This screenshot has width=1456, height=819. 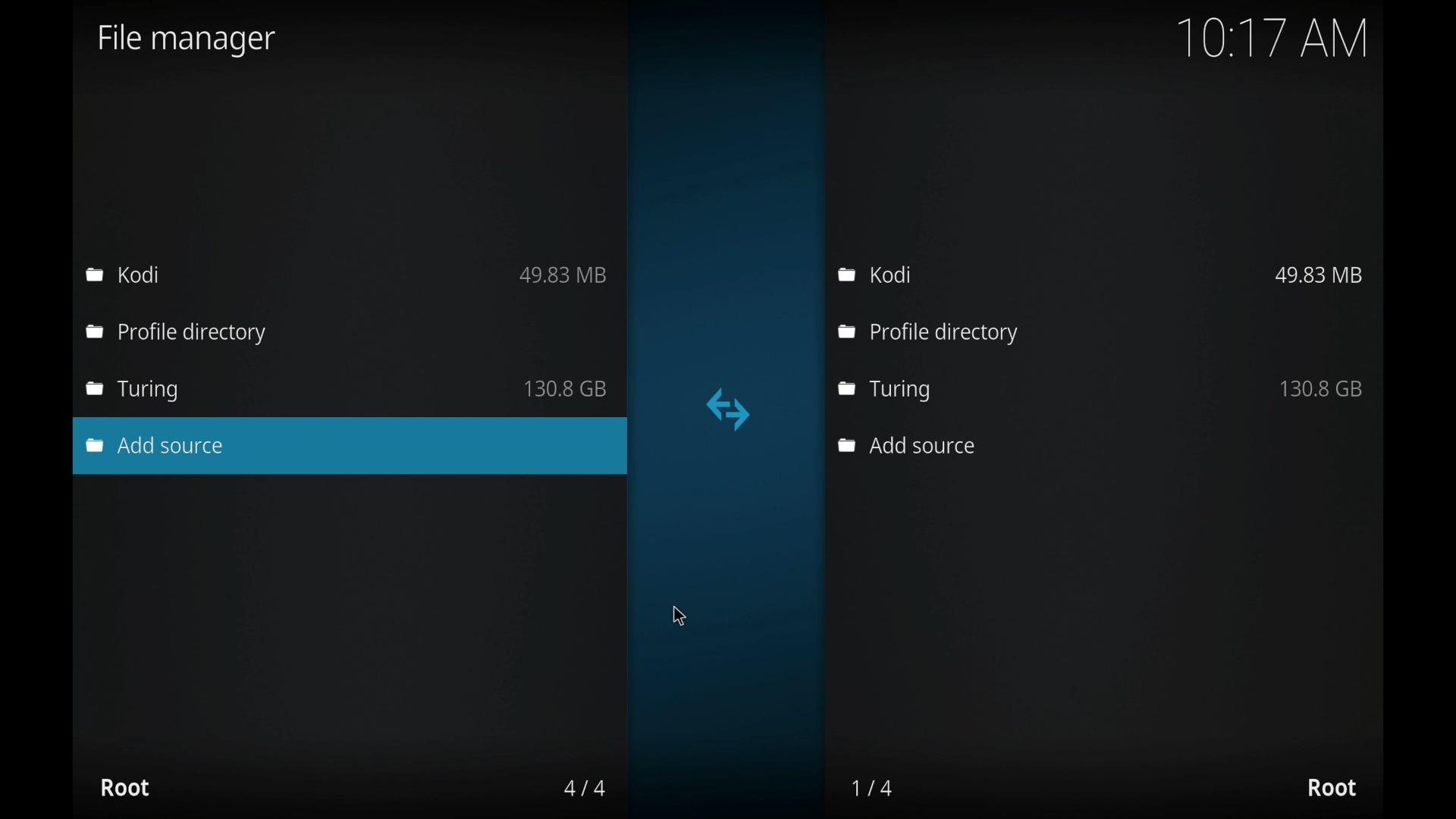 I want to click on 130.8 GB, so click(x=1323, y=388).